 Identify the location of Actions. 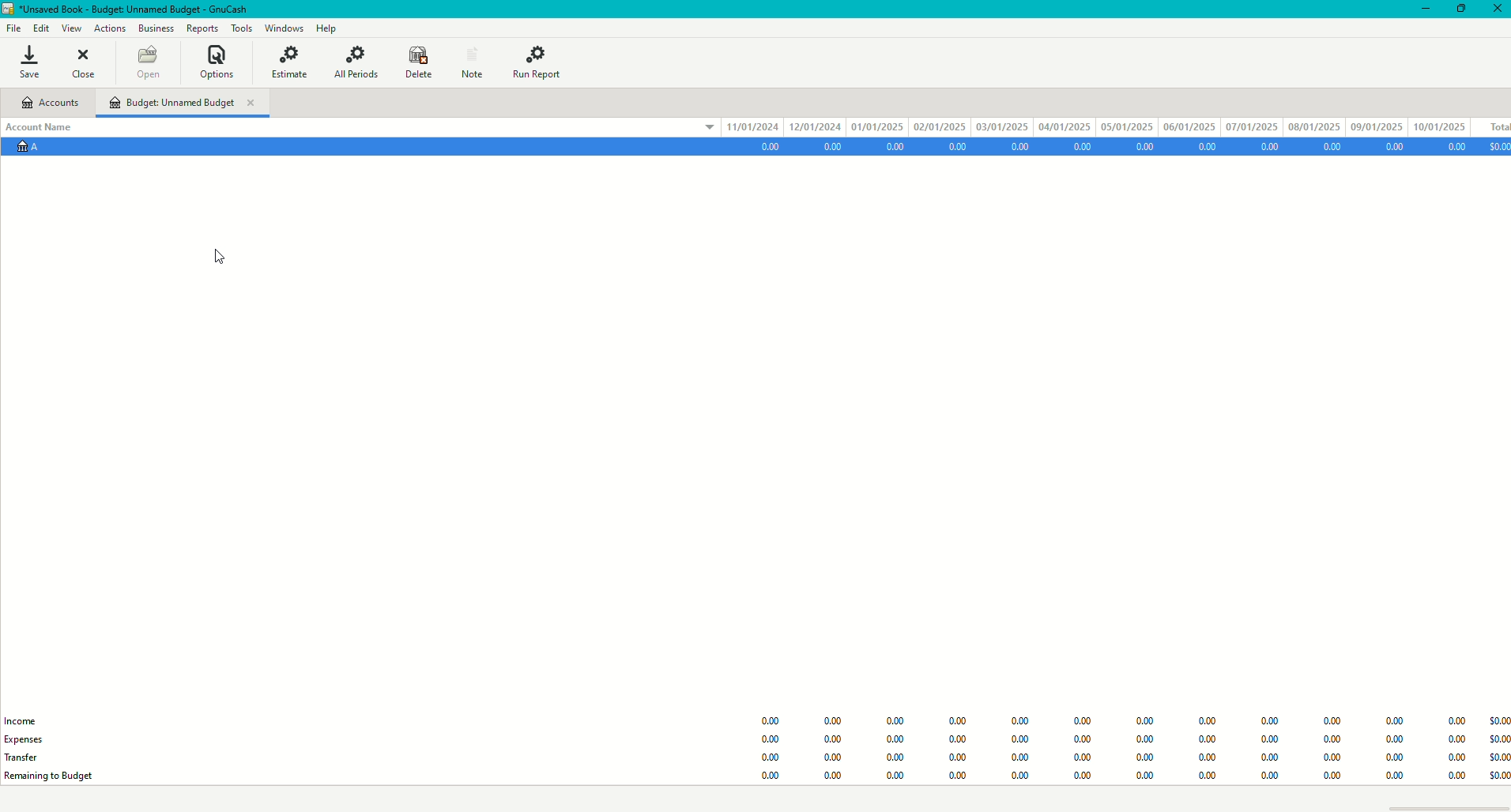
(110, 26).